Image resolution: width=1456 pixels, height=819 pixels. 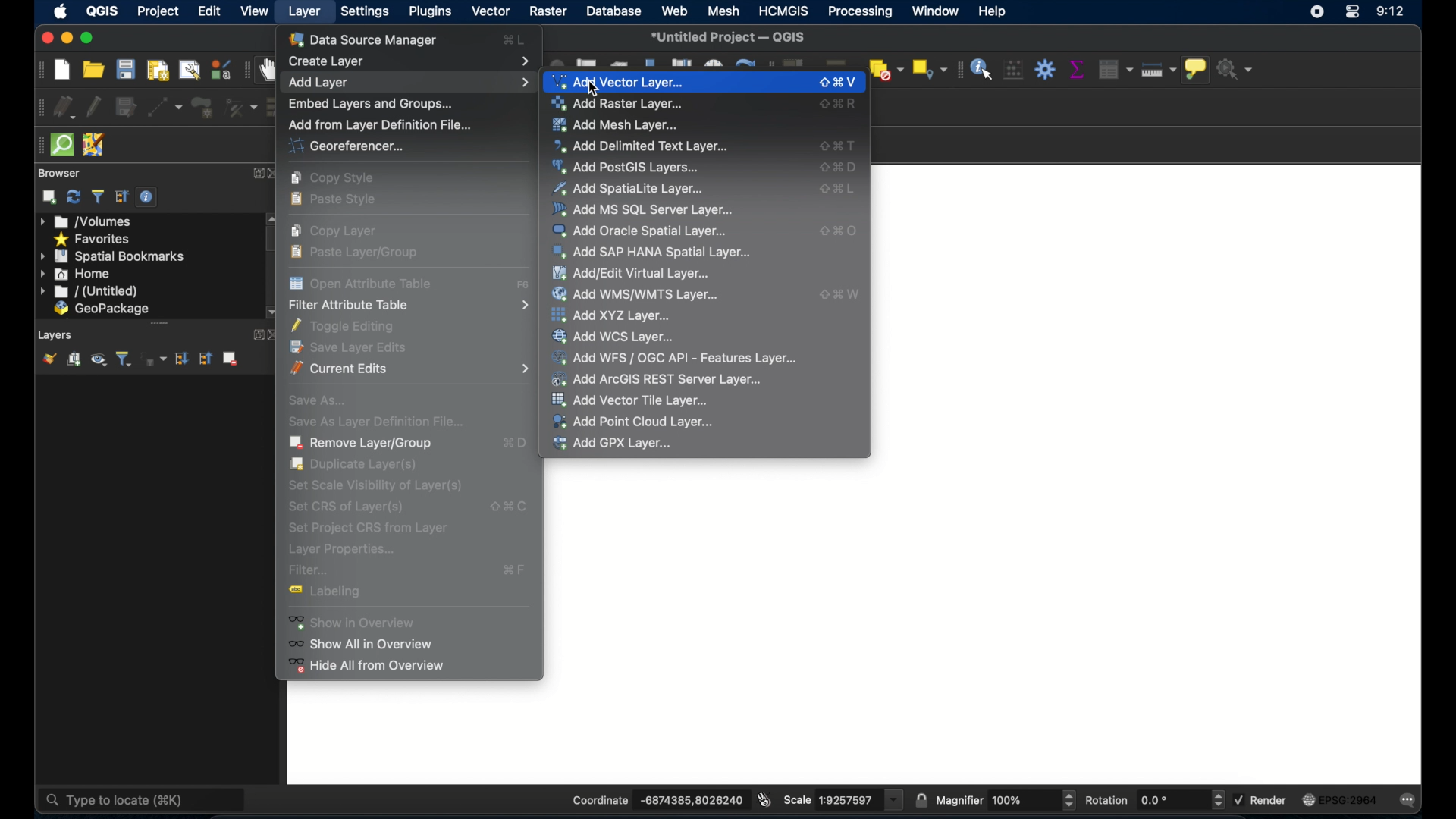 What do you see at coordinates (99, 361) in the screenshot?
I see `manage map themes` at bounding box center [99, 361].